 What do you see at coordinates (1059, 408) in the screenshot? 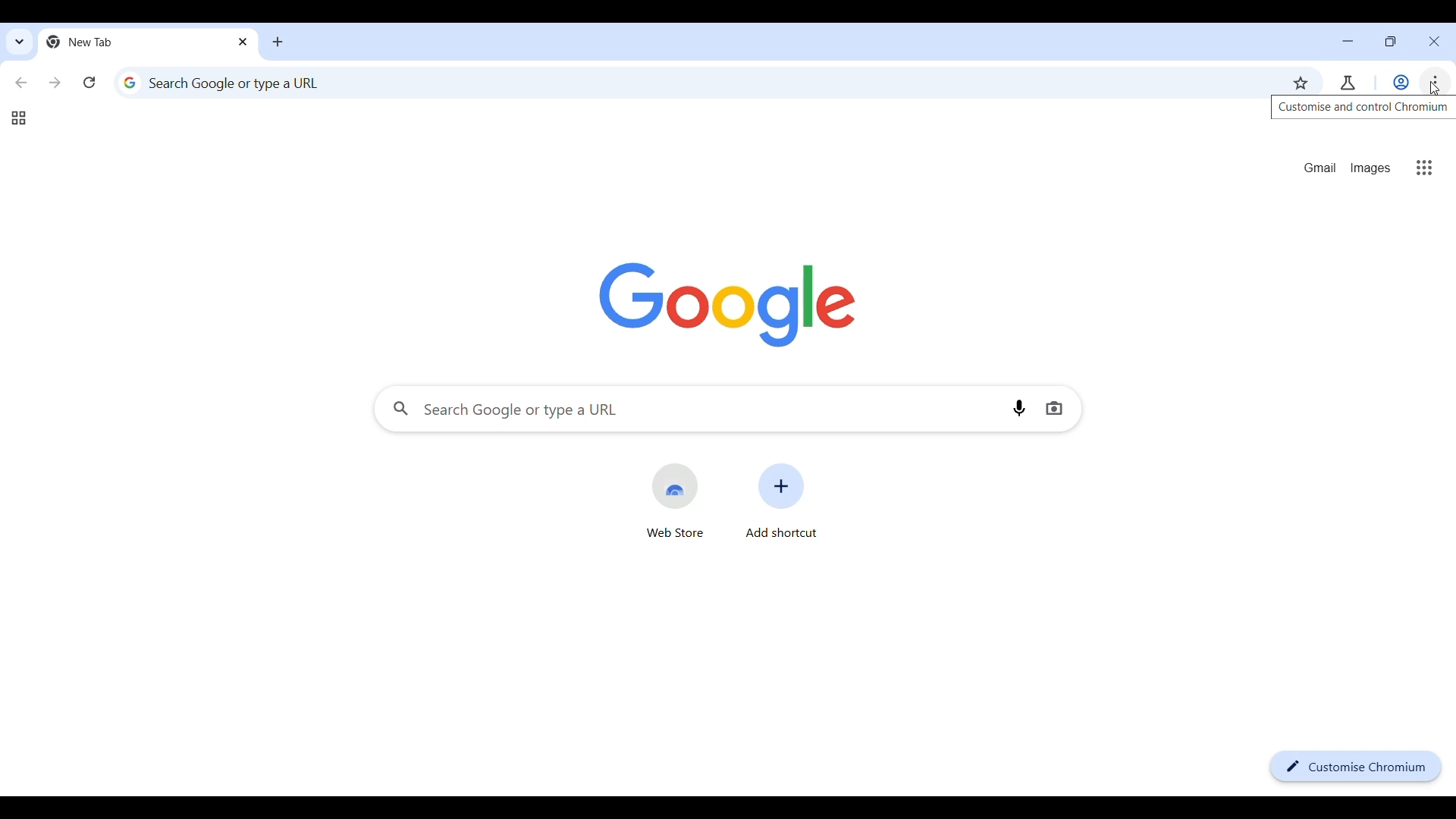
I see `Search by image` at bounding box center [1059, 408].